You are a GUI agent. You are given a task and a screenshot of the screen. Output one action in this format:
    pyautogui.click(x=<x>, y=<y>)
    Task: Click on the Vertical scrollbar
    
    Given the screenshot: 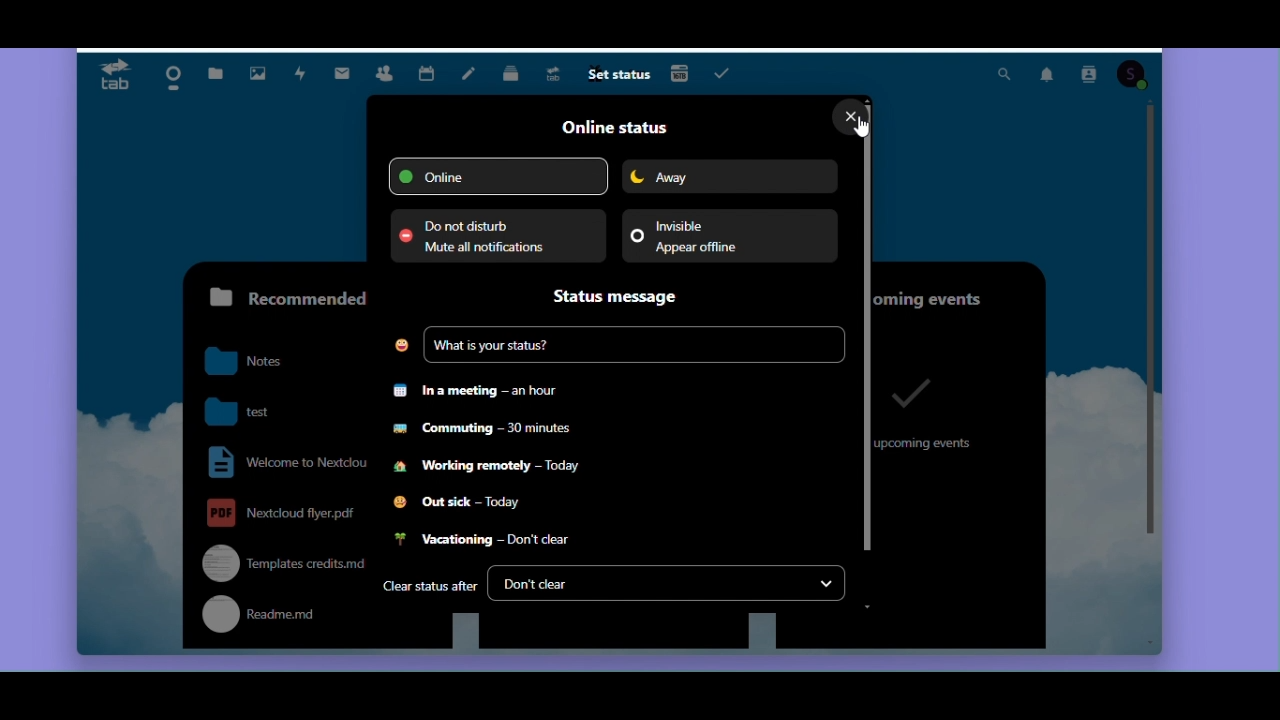 What is the action you would take?
    pyautogui.click(x=869, y=324)
    